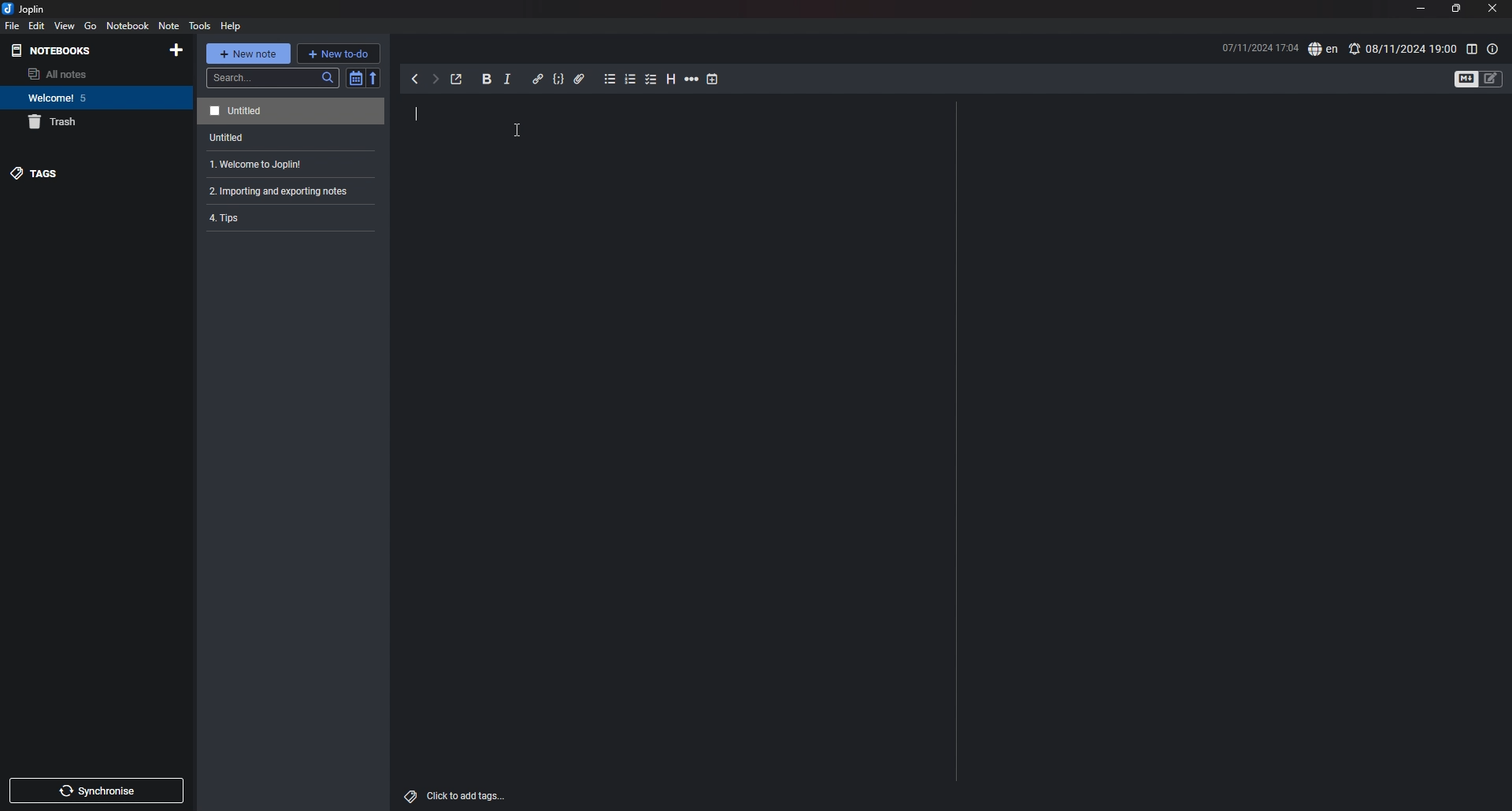 This screenshot has height=811, width=1512. What do you see at coordinates (415, 79) in the screenshot?
I see `back` at bounding box center [415, 79].